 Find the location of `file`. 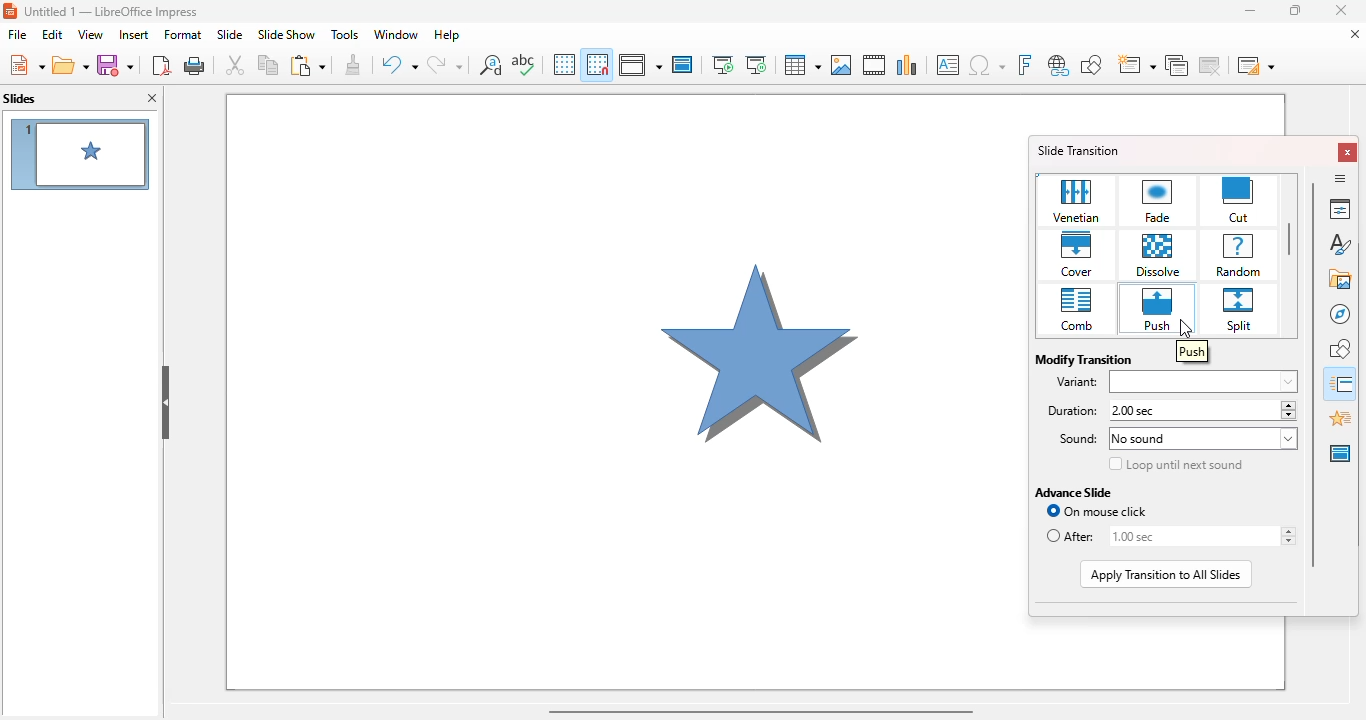

file is located at coordinates (18, 34).